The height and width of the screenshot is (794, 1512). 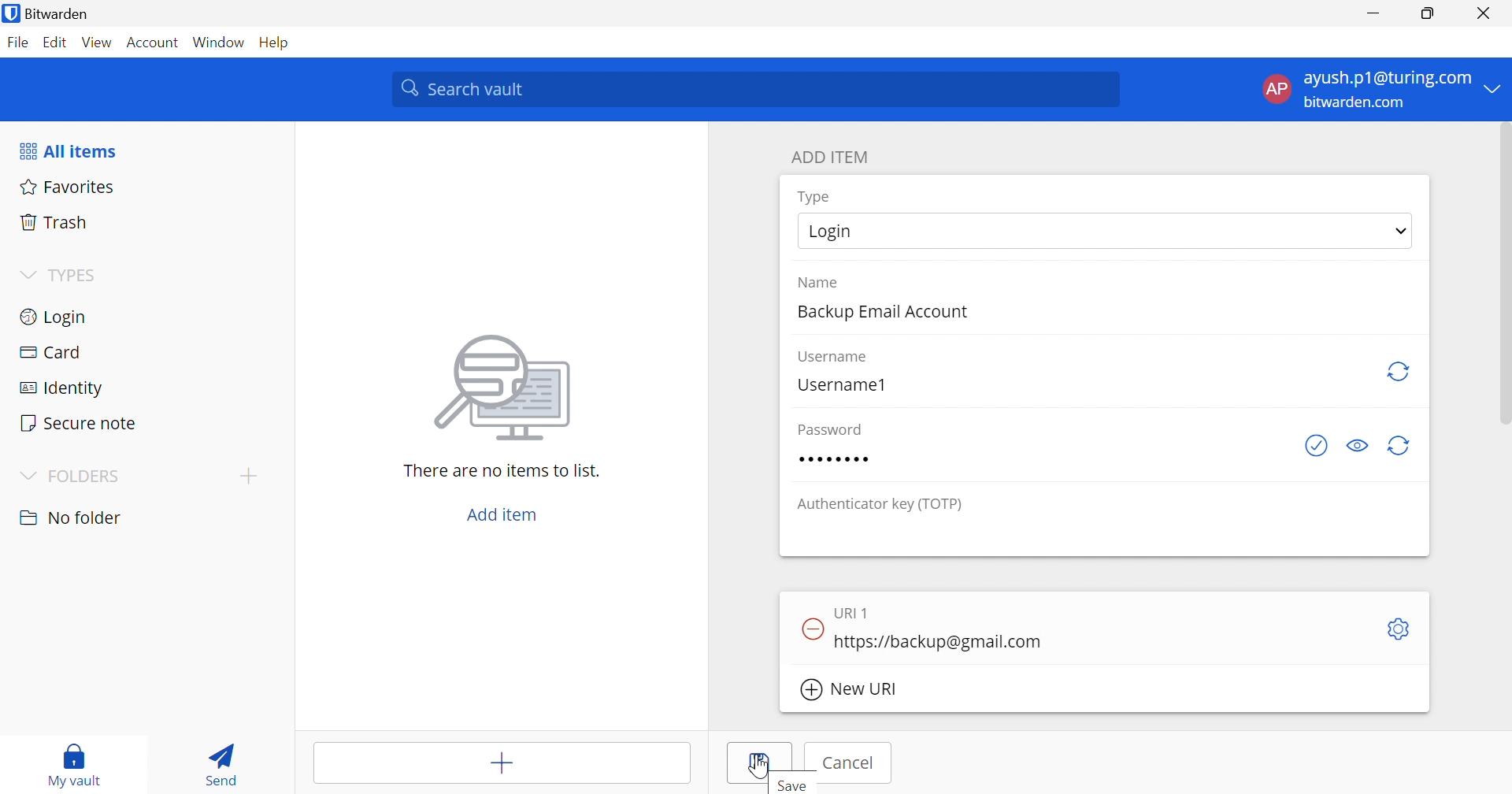 I want to click on Generate password, so click(x=1403, y=447).